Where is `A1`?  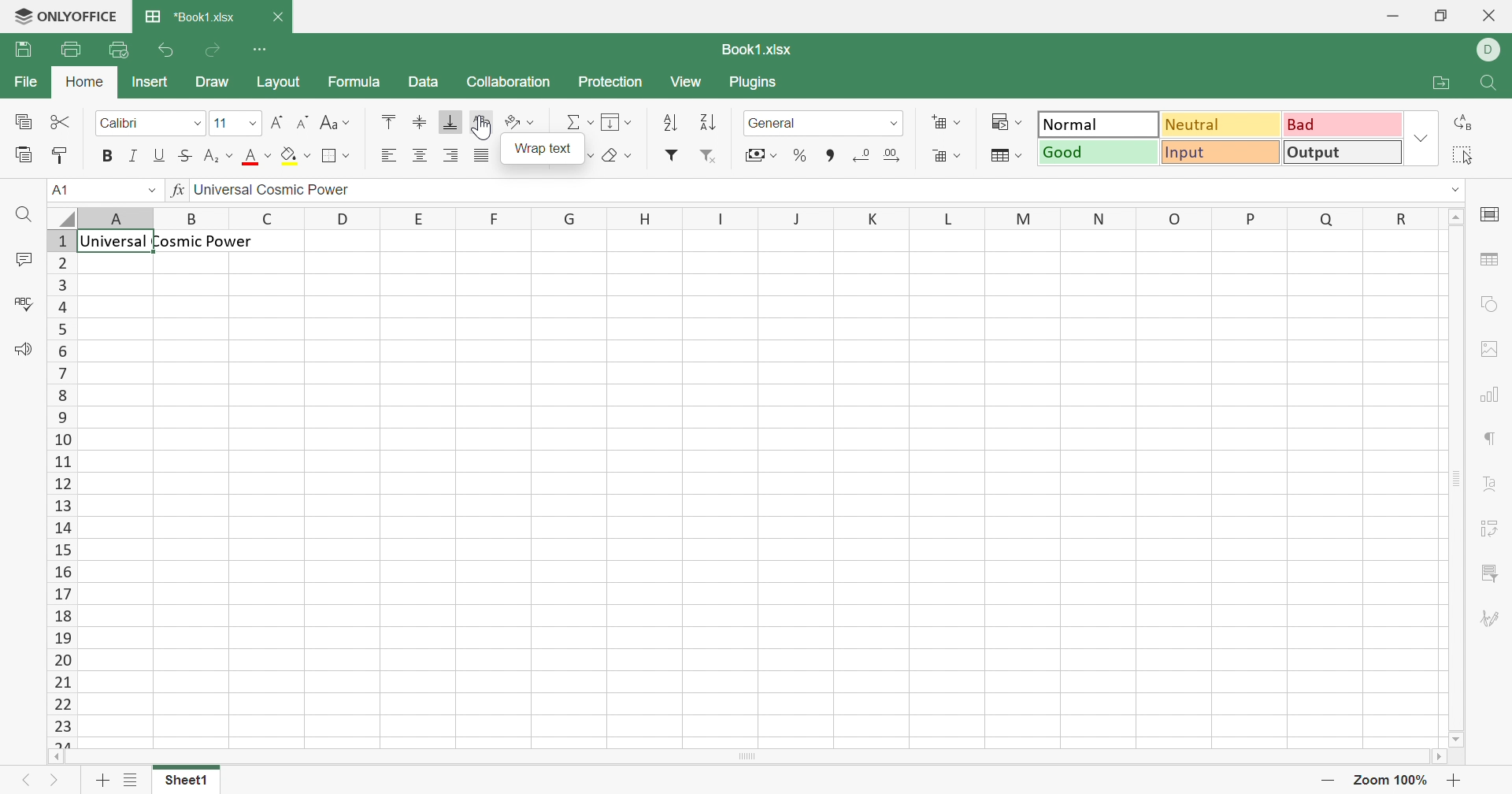
A1 is located at coordinates (62, 191).